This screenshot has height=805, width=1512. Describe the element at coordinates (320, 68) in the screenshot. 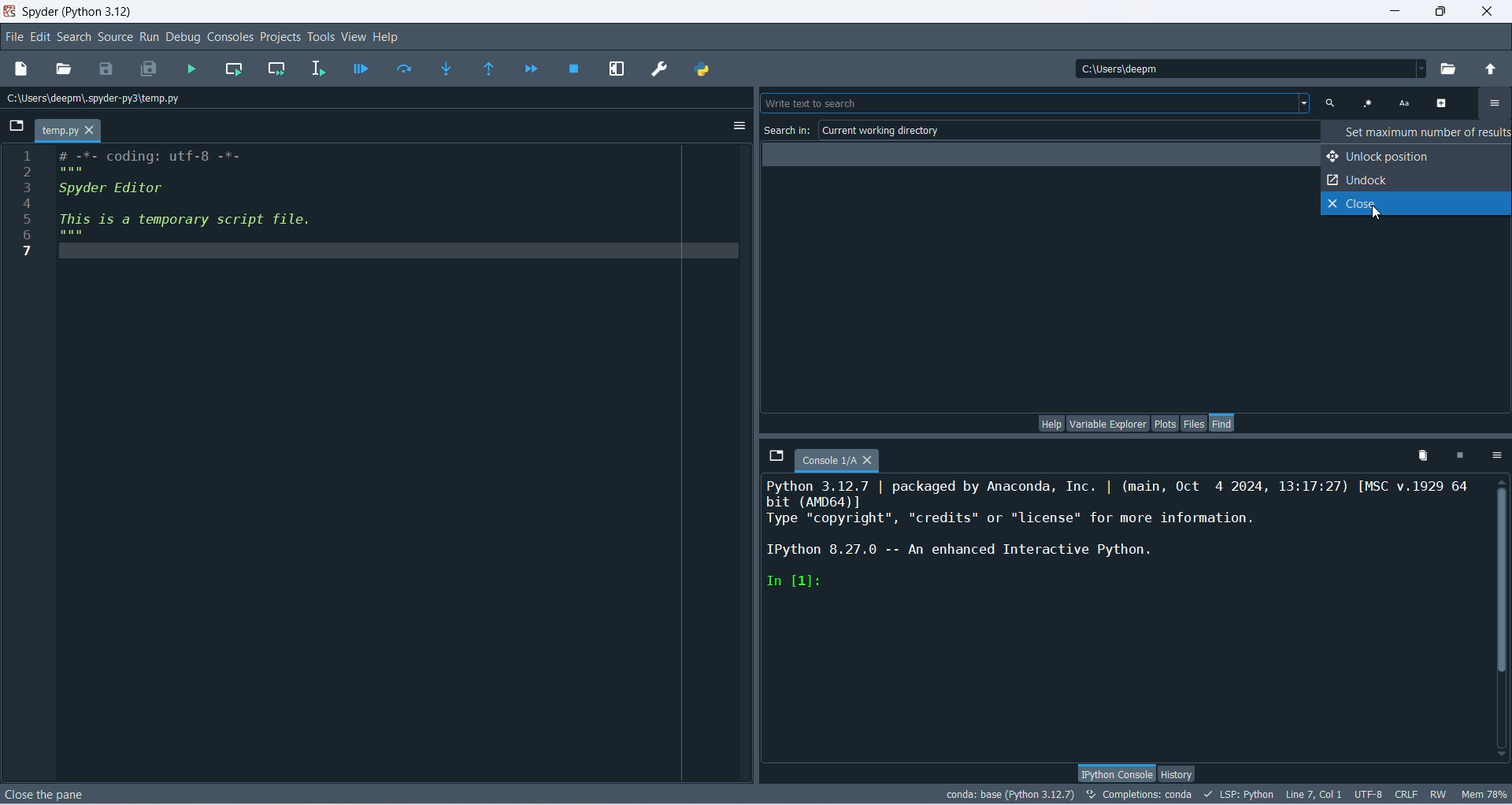

I see `run selection` at that location.